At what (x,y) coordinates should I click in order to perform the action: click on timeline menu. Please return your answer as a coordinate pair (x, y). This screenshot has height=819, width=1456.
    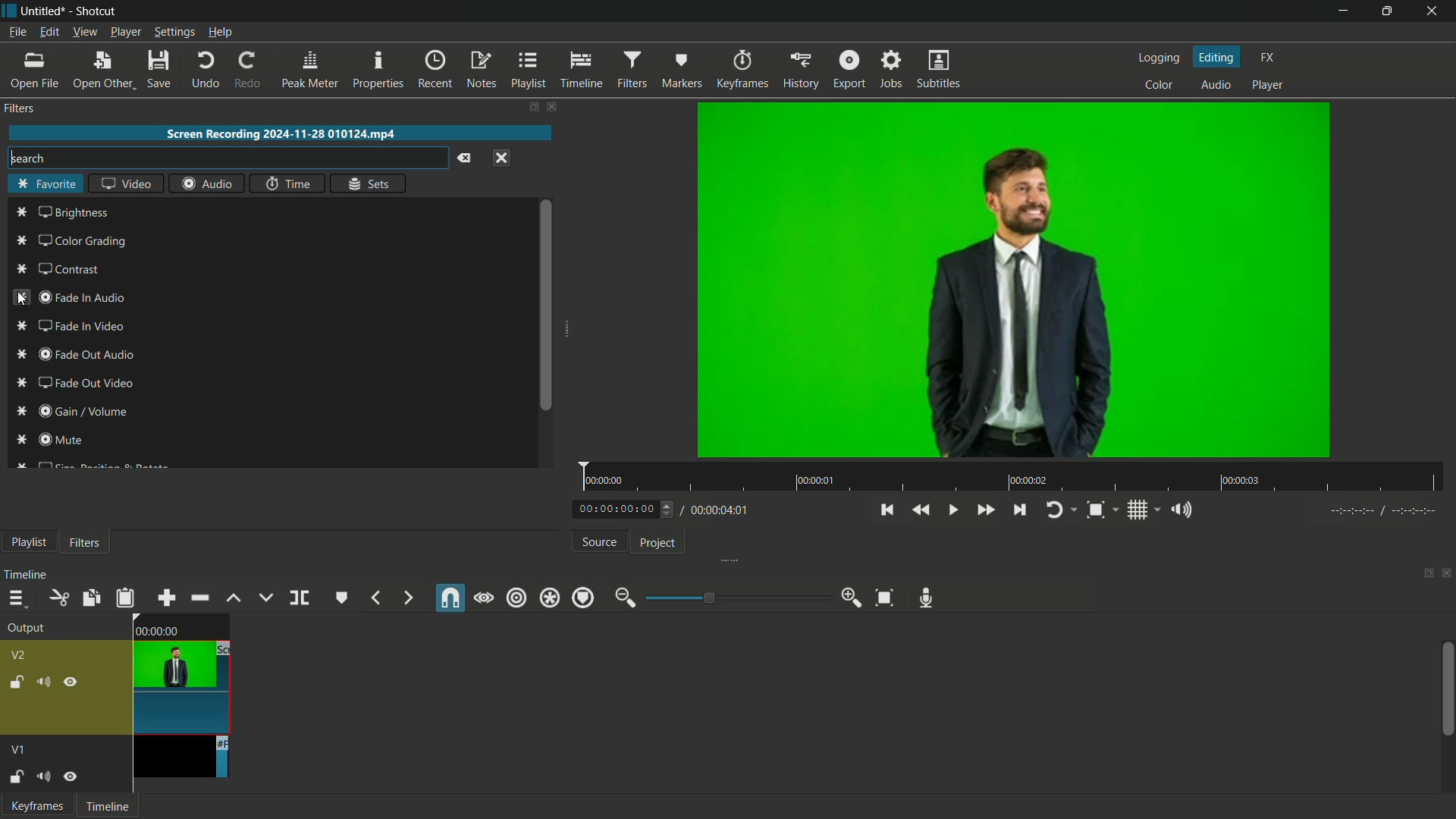
    Looking at the image, I should click on (13, 598).